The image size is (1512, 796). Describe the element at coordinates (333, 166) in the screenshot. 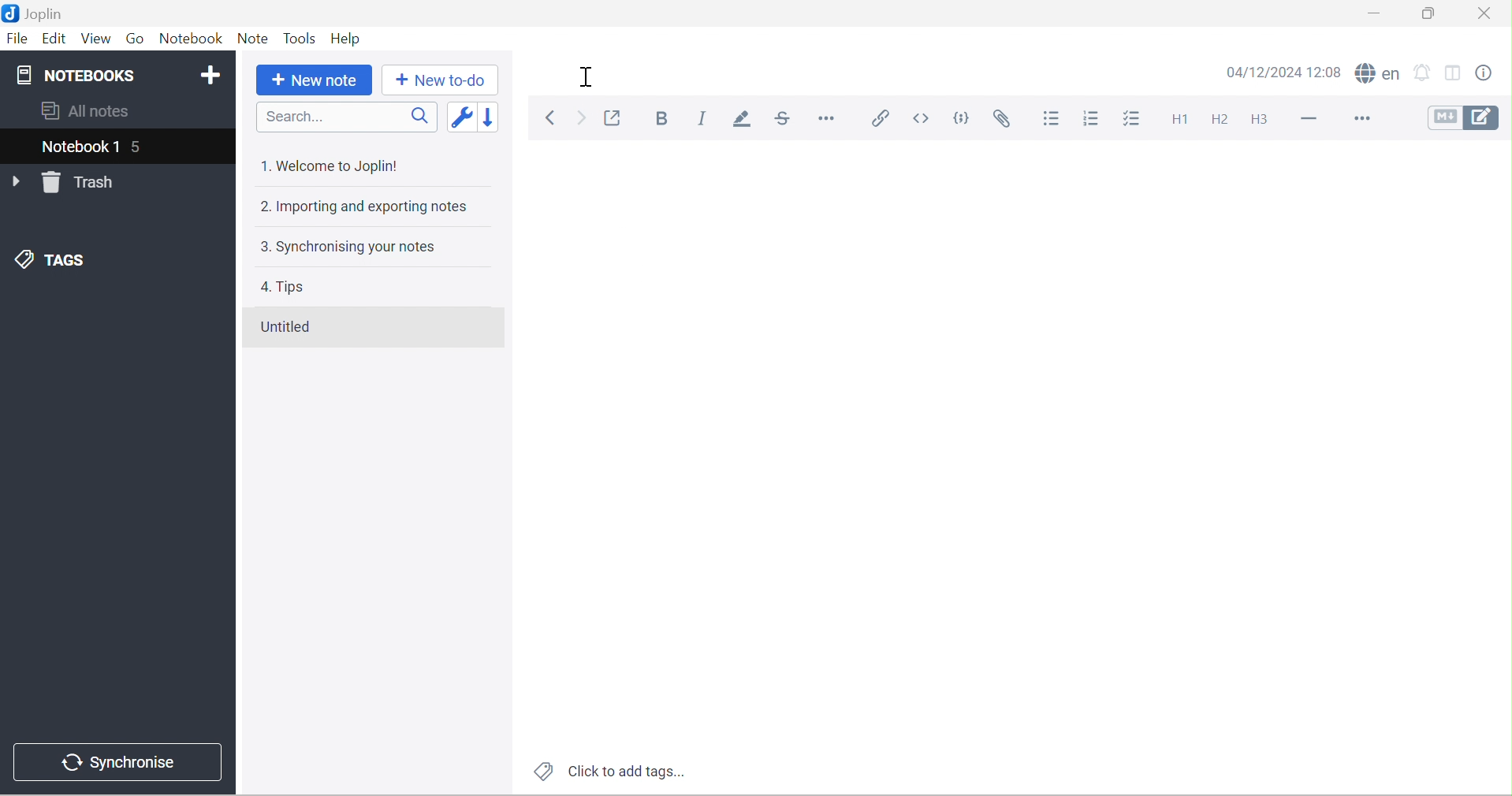

I see `1. Welcome to Joplin!` at that location.